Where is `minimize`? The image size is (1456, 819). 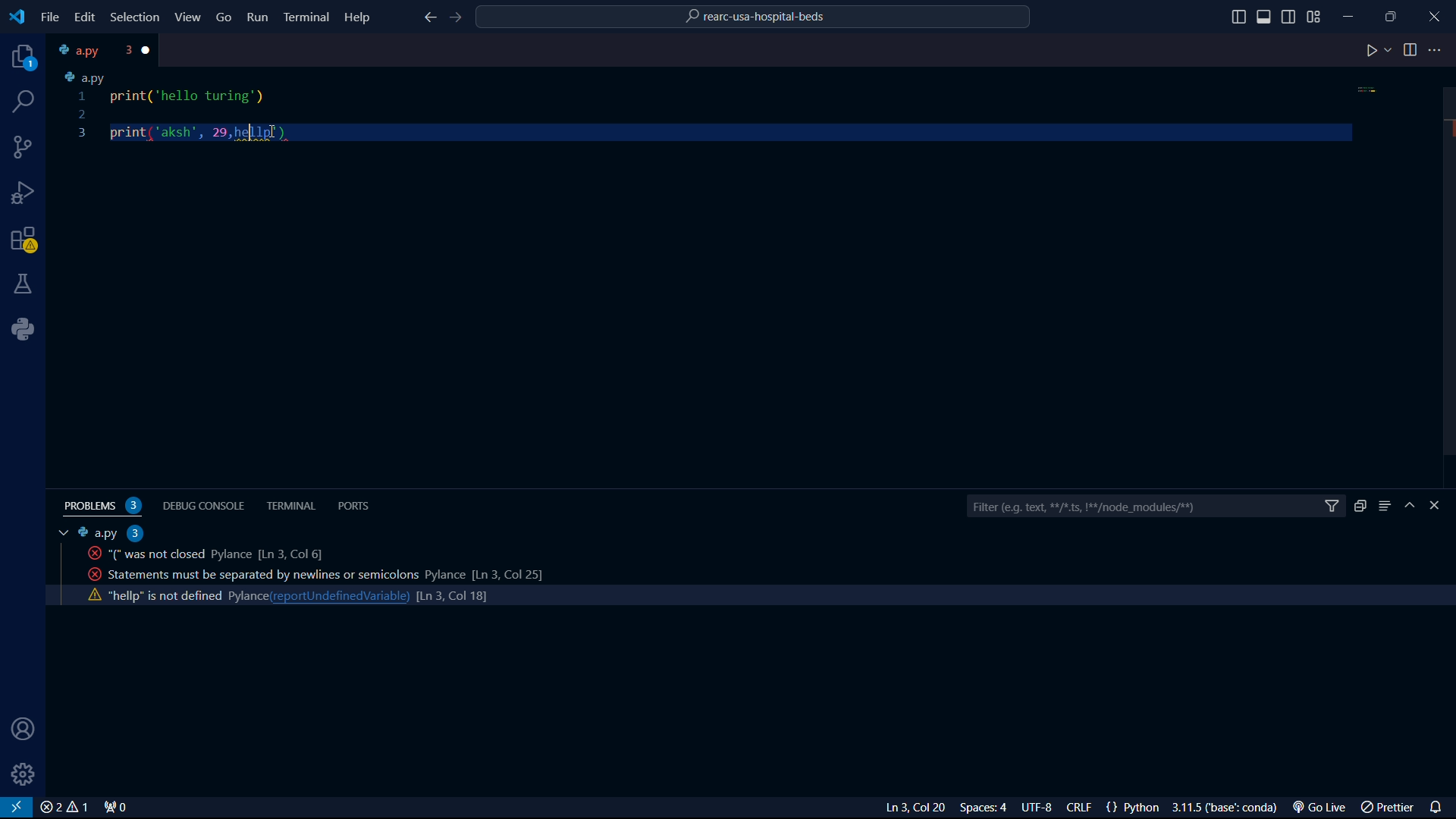
minimize is located at coordinates (1353, 13).